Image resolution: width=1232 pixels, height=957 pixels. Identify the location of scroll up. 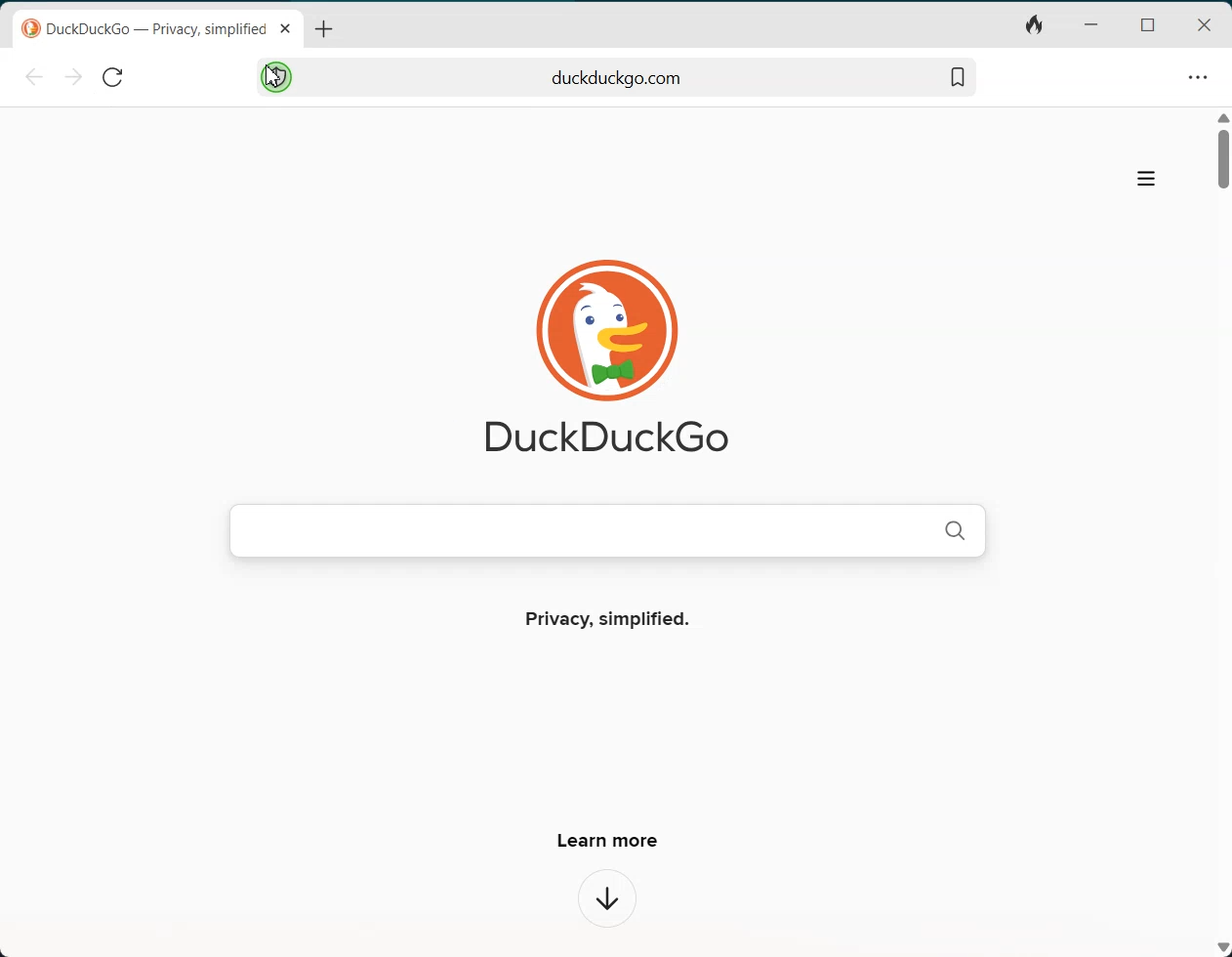
(1223, 116).